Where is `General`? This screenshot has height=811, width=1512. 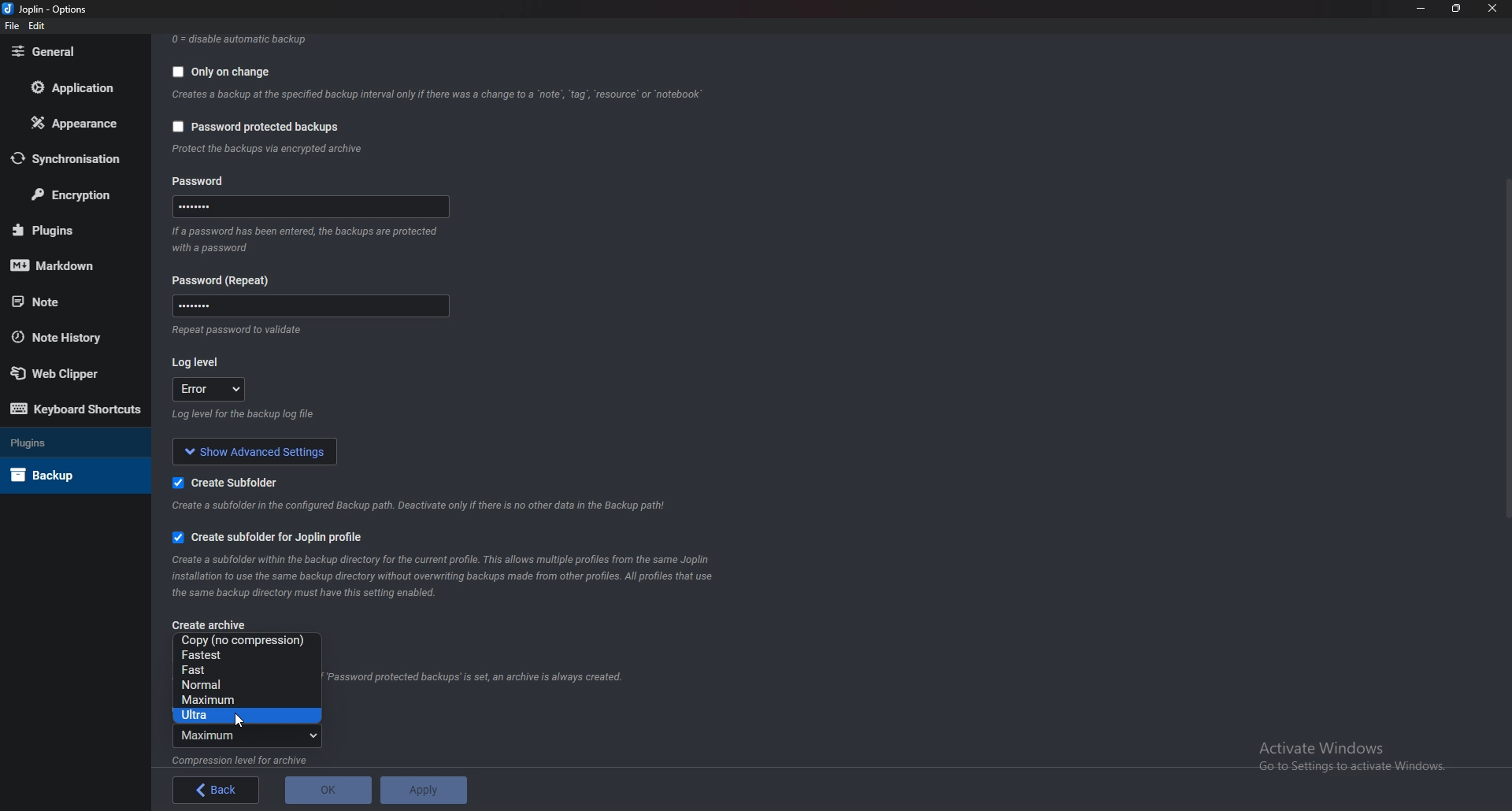 General is located at coordinates (73, 52).